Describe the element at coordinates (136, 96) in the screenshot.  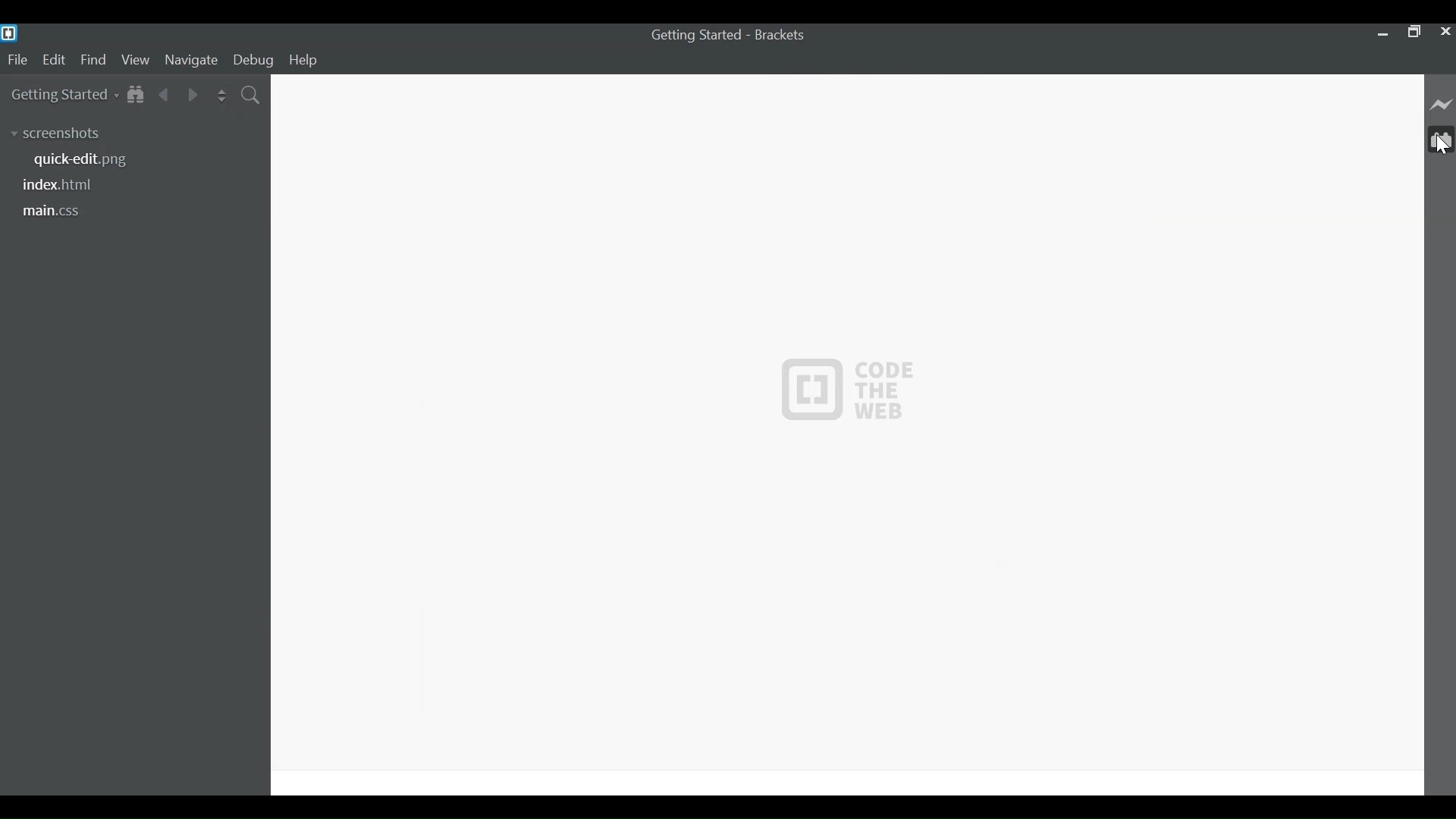
I see `Show in File tree` at that location.